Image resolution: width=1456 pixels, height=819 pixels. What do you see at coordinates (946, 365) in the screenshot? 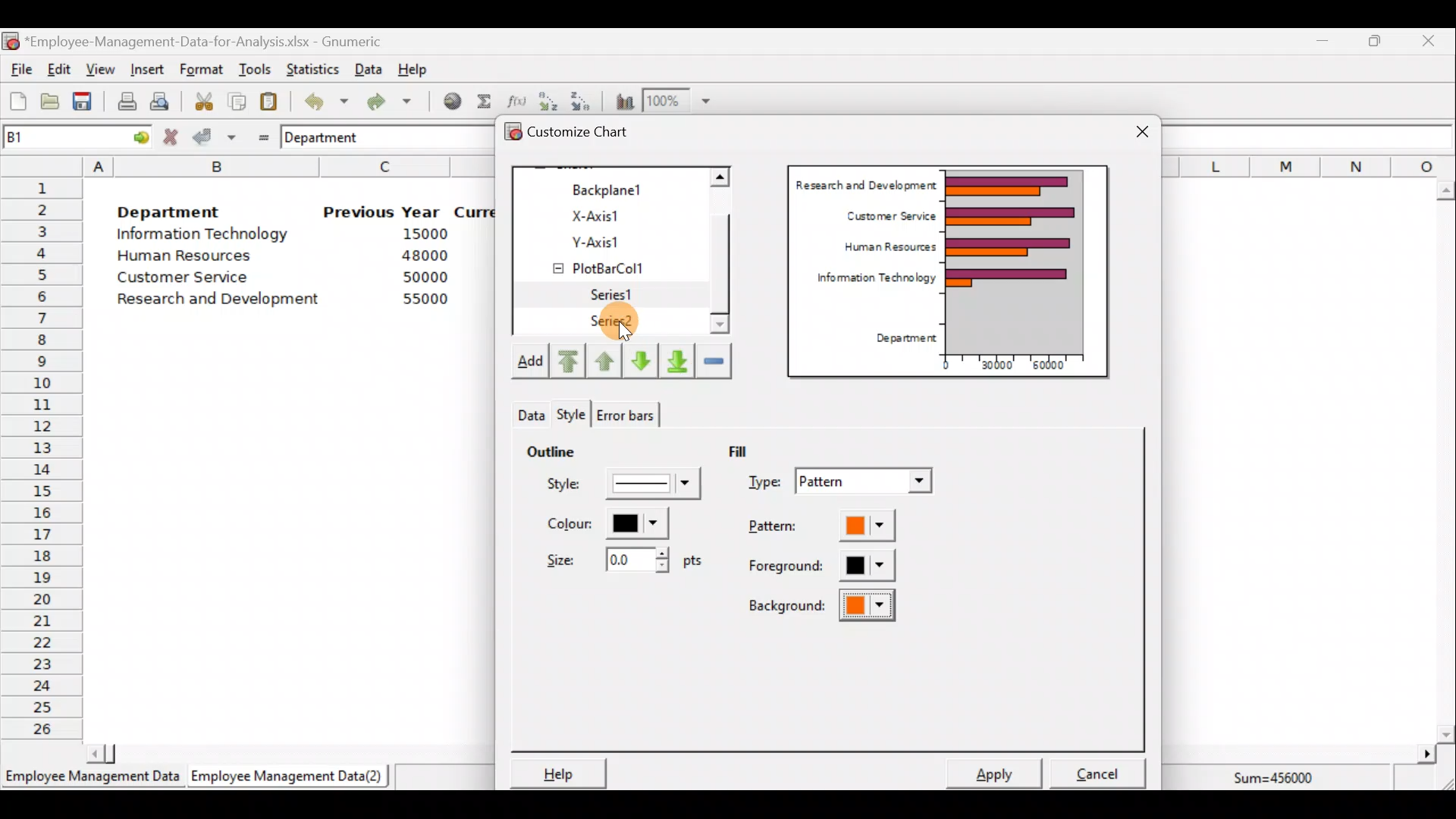
I see `0` at bounding box center [946, 365].